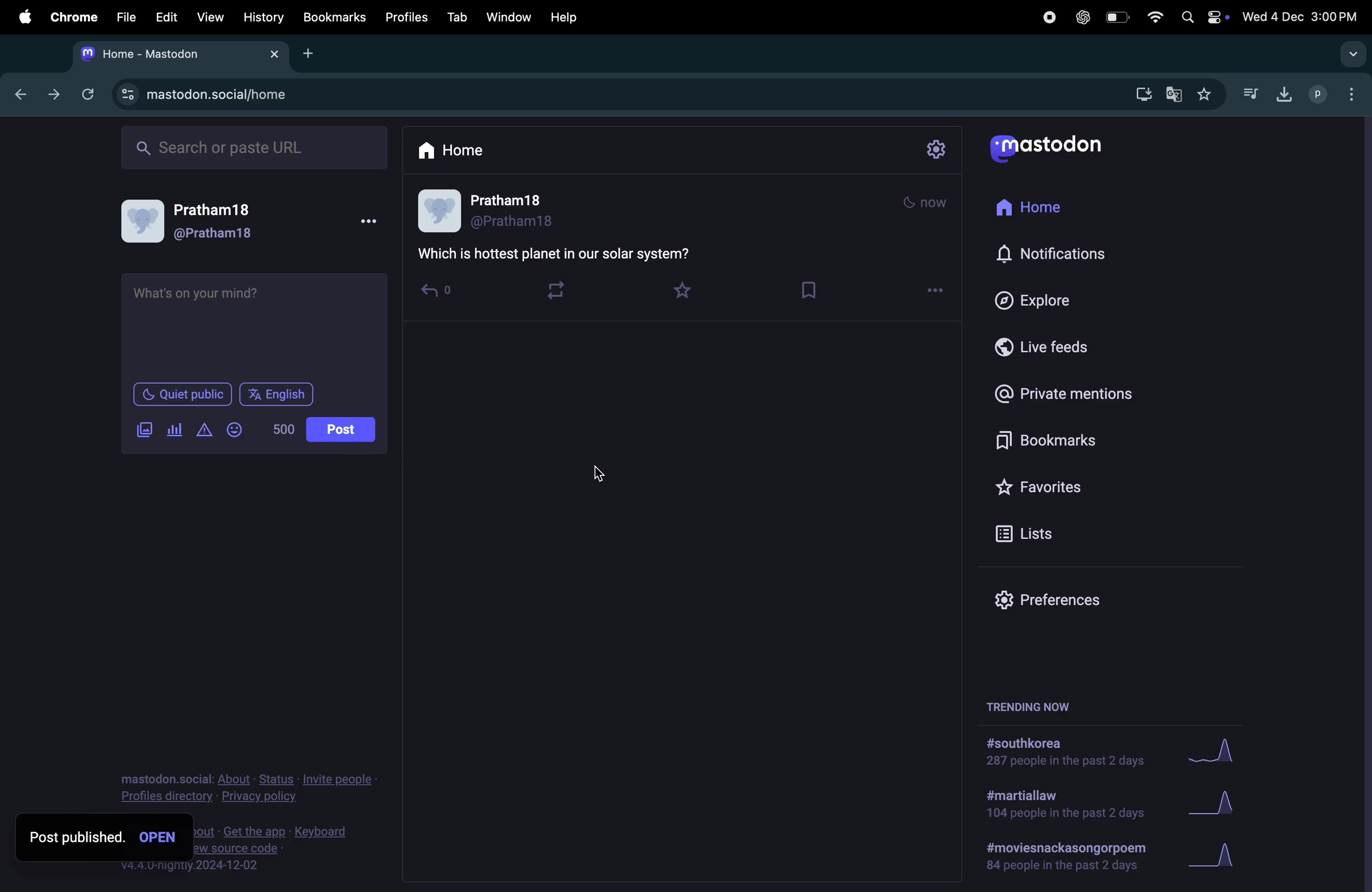 The width and height of the screenshot is (1372, 892). What do you see at coordinates (576, 255) in the screenshot?
I see `quiz question` at bounding box center [576, 255].